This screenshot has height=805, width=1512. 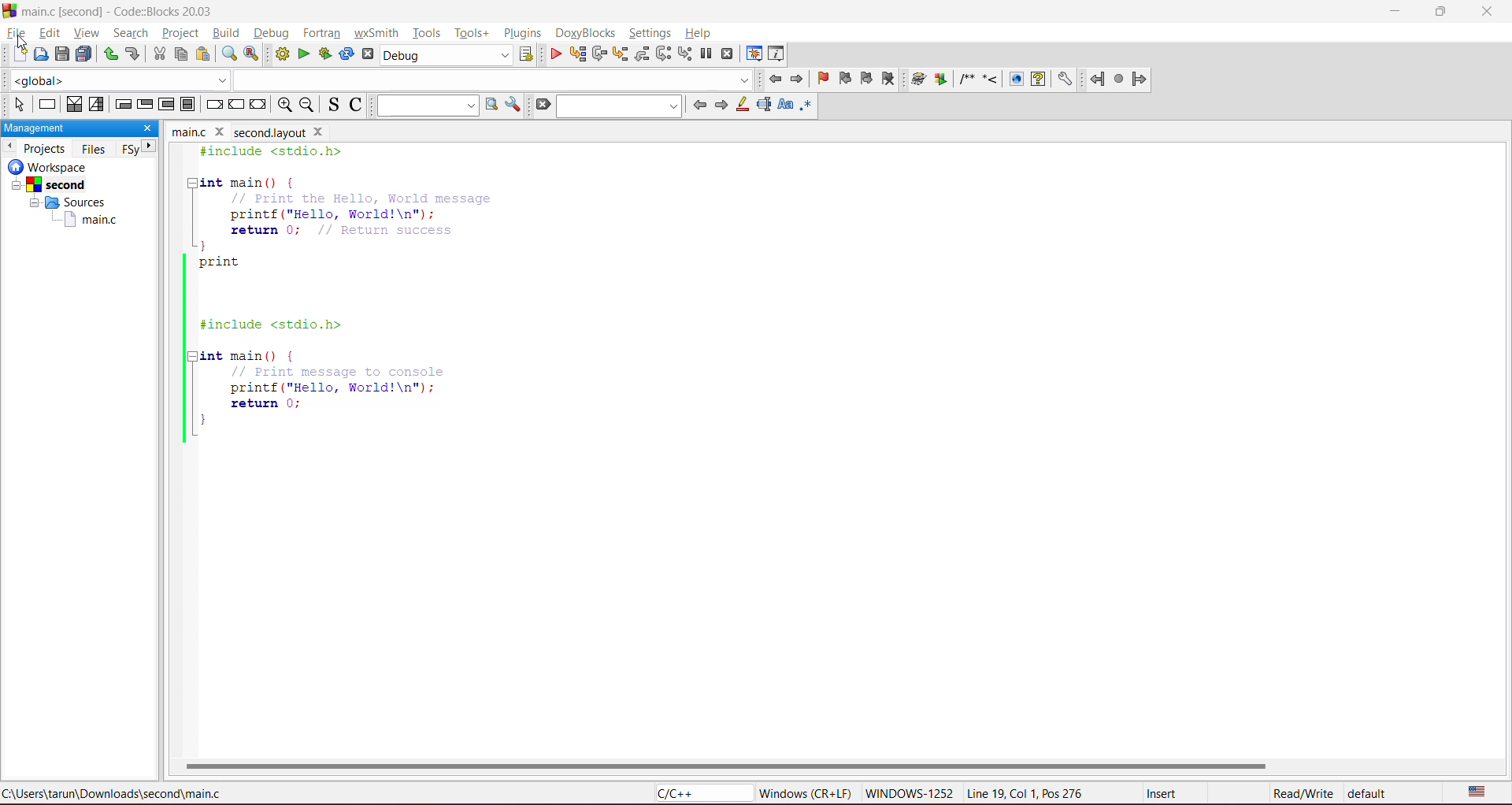 What do you see at coordinates (215, 106) in the screenshot?
I see `break instruction` at bounding box center [215, 106].